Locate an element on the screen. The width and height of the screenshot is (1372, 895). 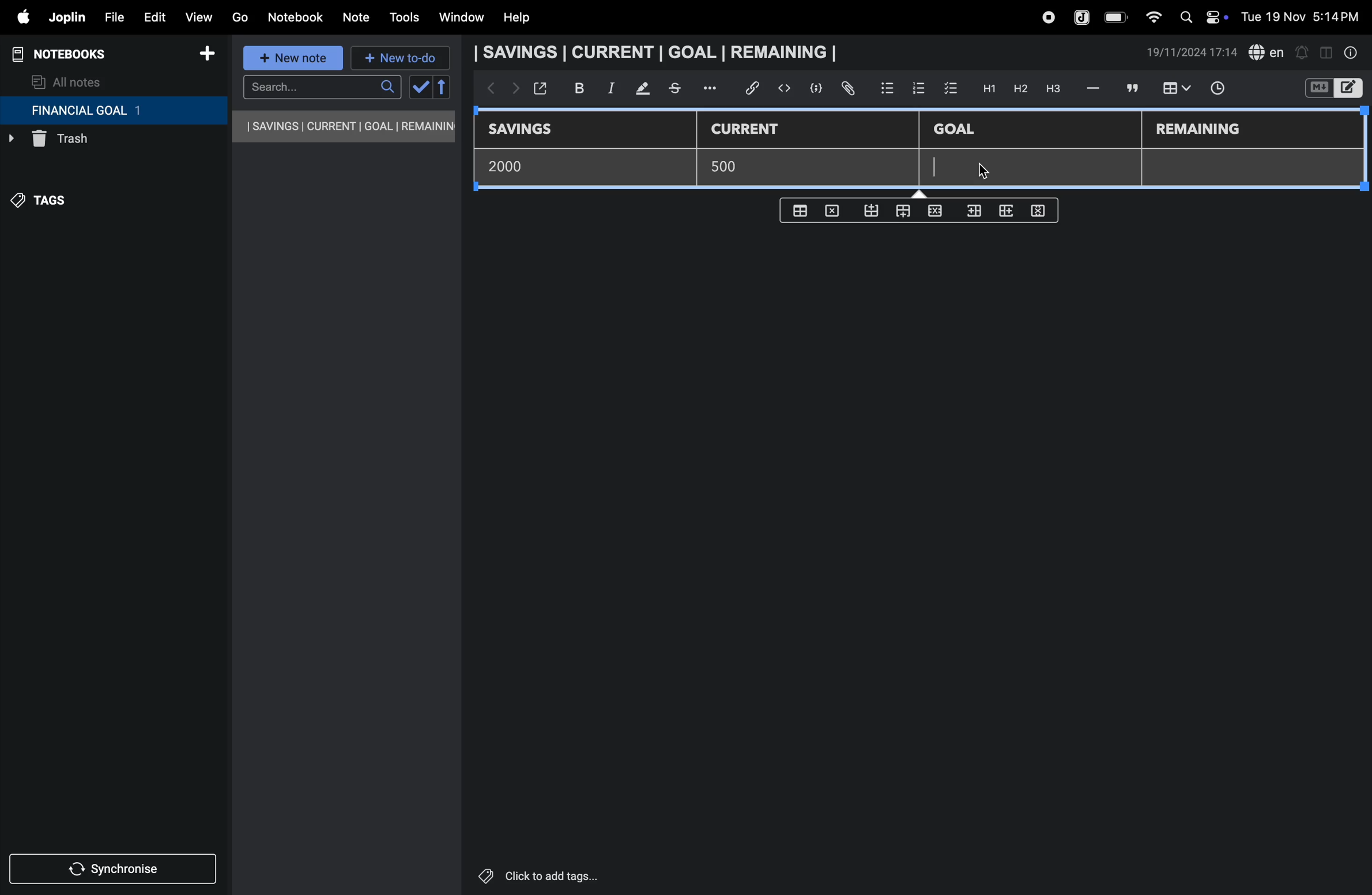
cursor is located at coordinates (938, 166).